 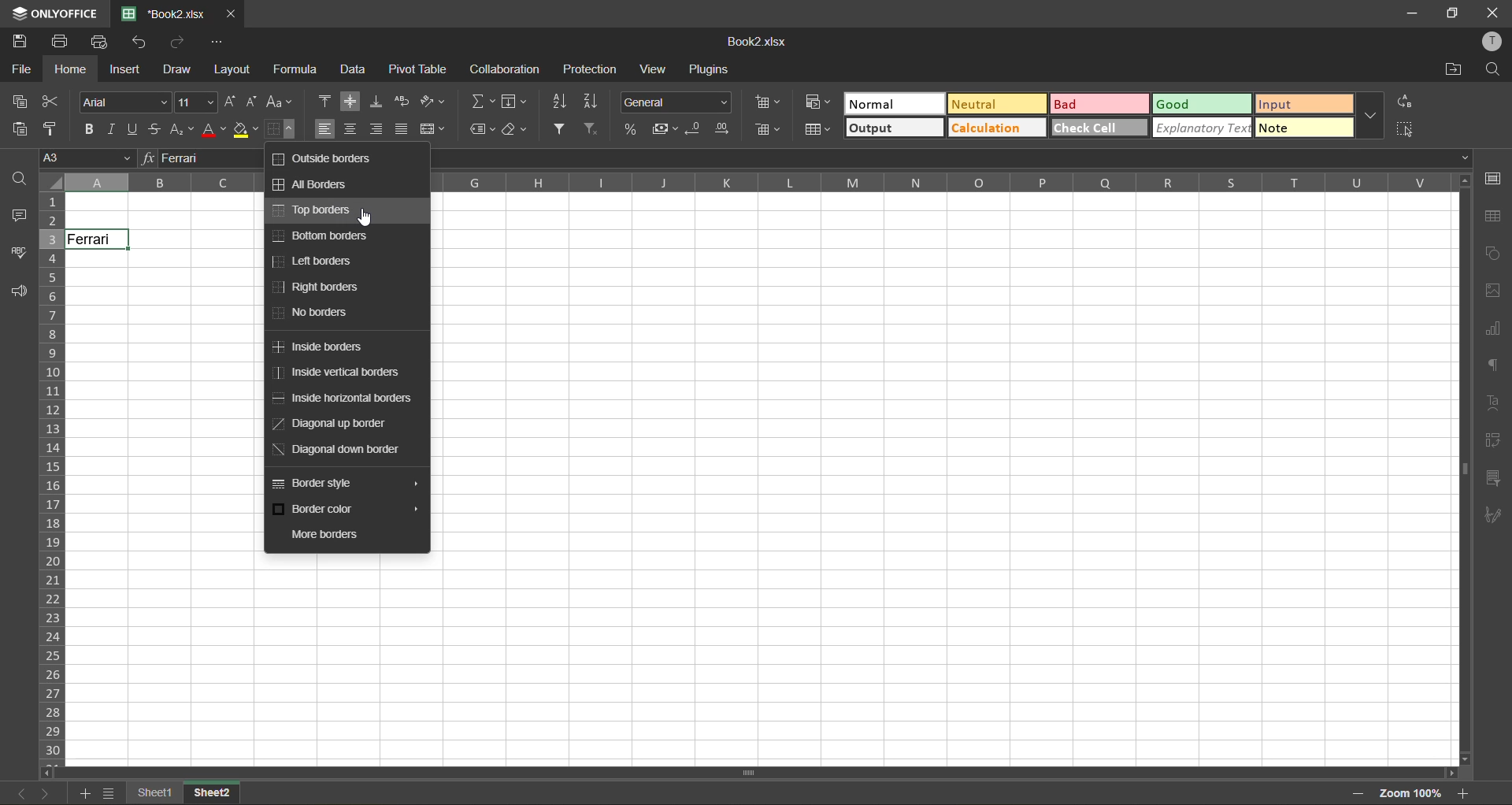 I want to click on copy style, so click(x=53, y=130).